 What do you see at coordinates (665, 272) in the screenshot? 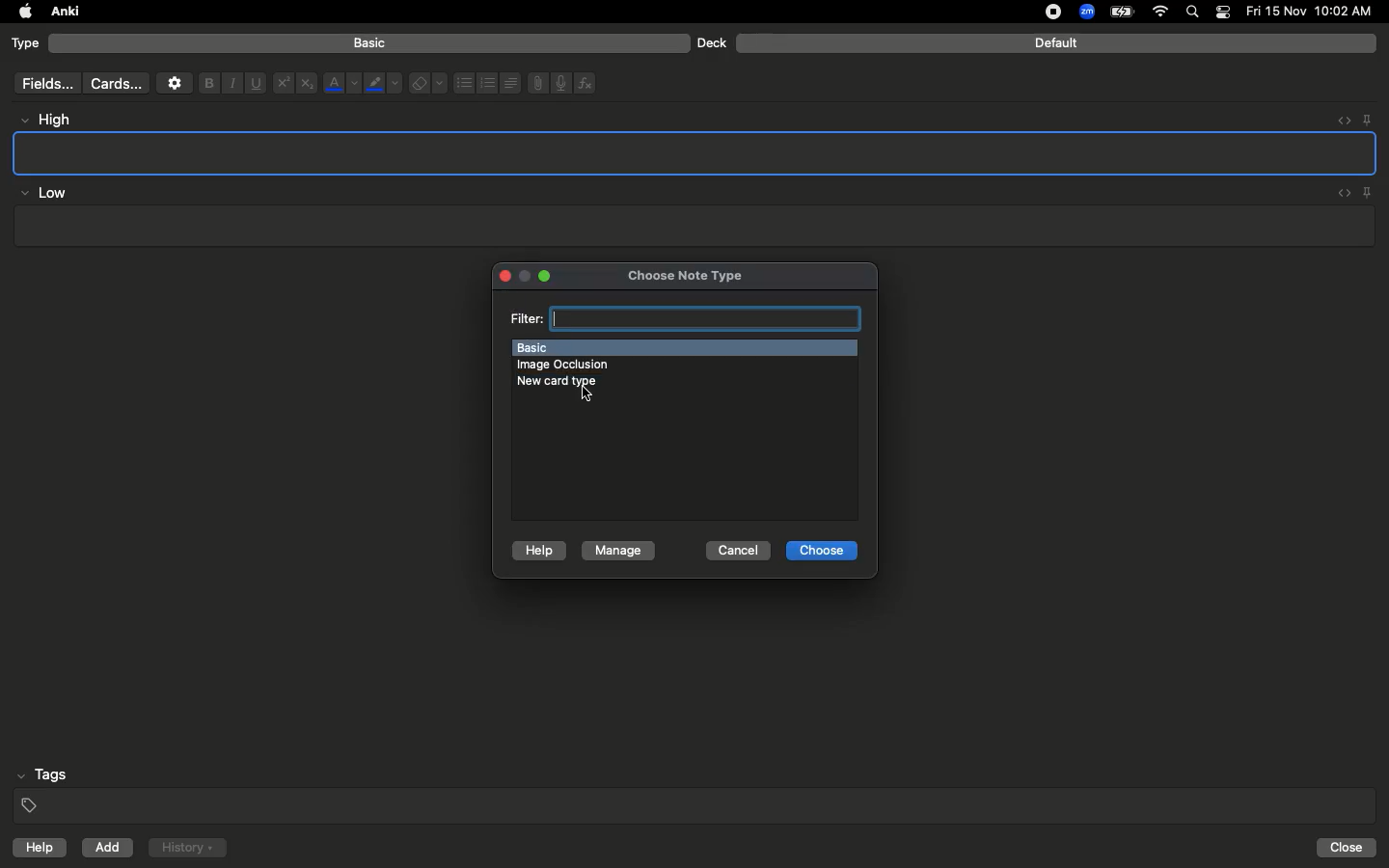
I see `Choose note type` at bounding box center [665, 272].